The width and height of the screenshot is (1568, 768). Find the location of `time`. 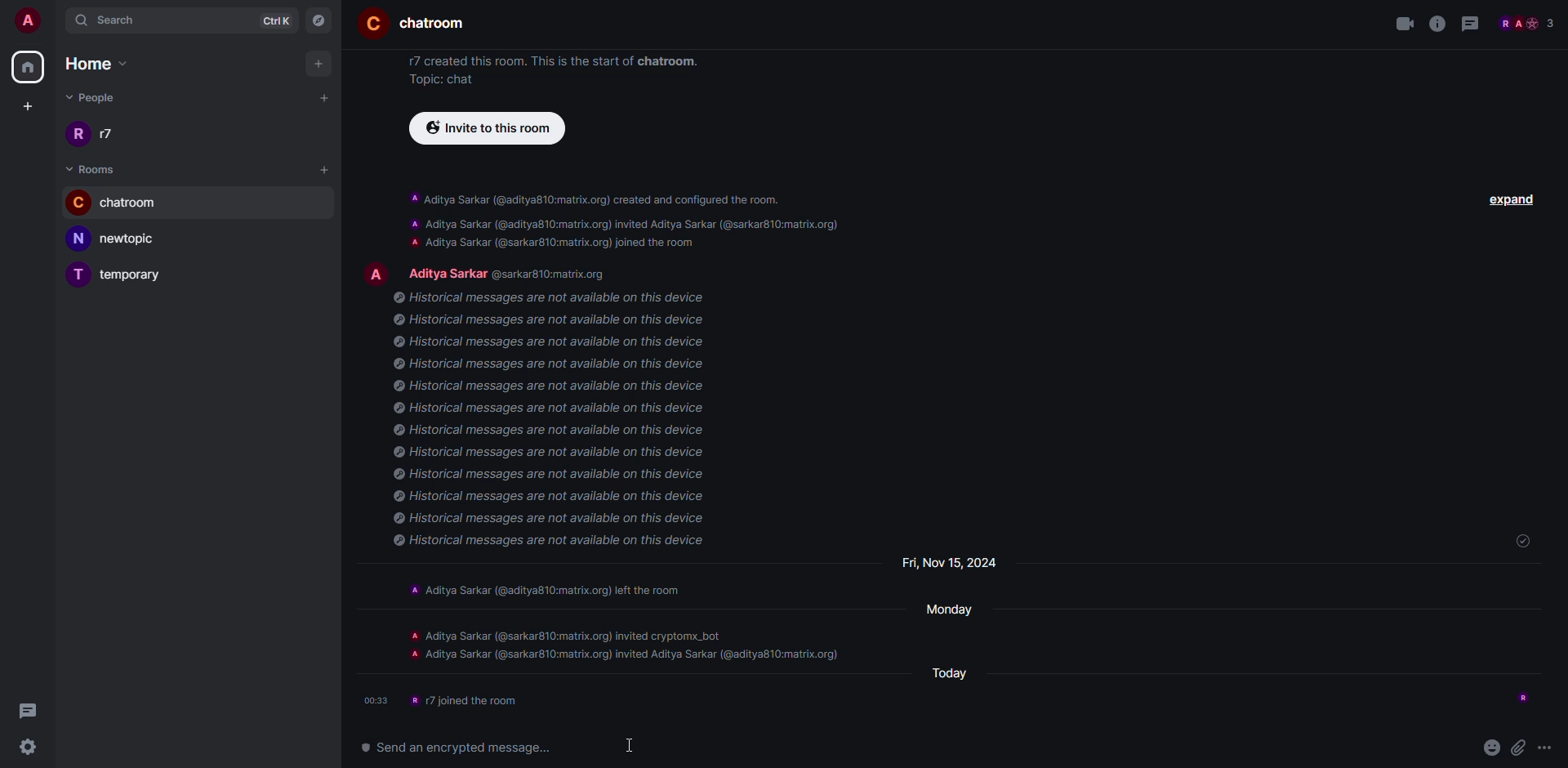

time is located at coordinates (376, 699).